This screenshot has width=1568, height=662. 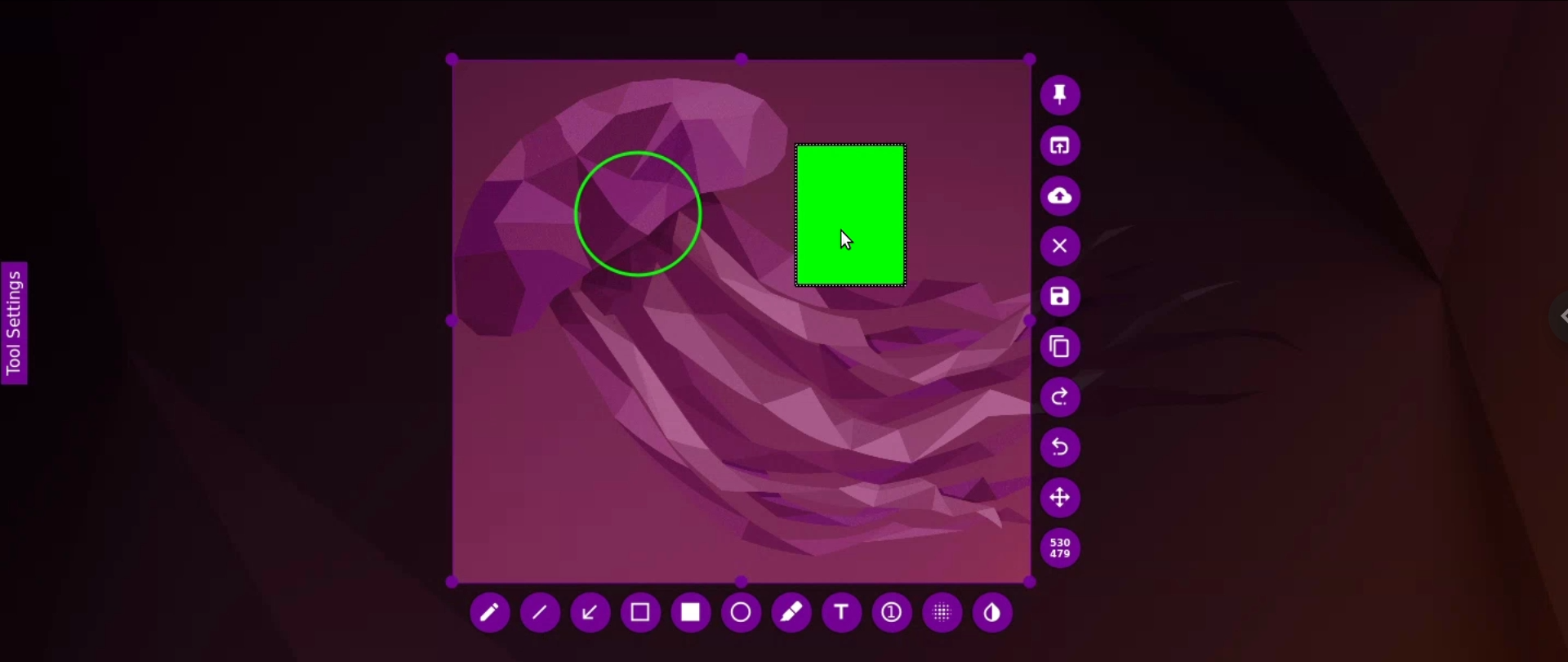 What do you see at coordinates (15, 320) in the screenshot?
I see `toolbar settings` at bounding box center [15, 320].